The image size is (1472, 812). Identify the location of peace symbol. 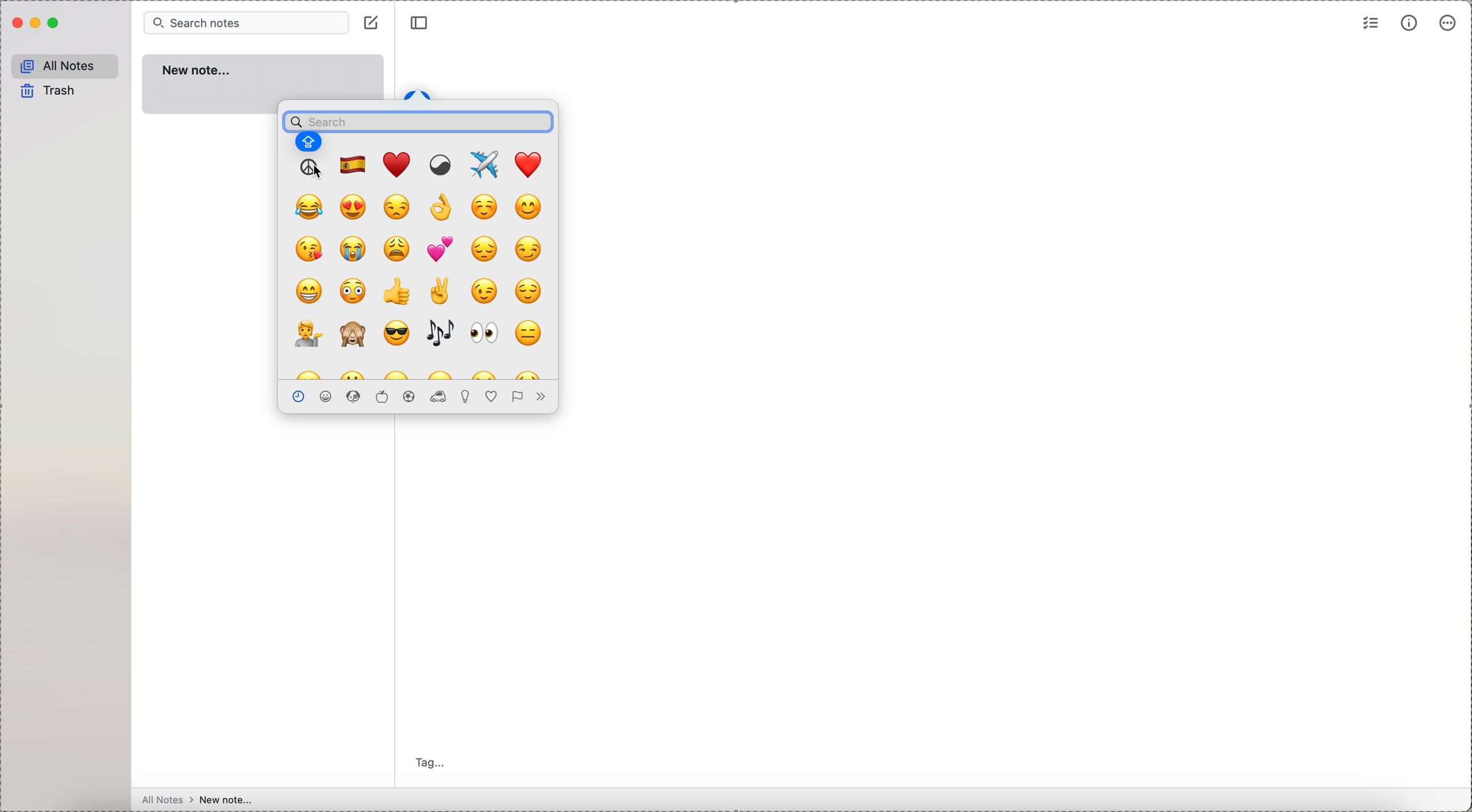
(310, 168).